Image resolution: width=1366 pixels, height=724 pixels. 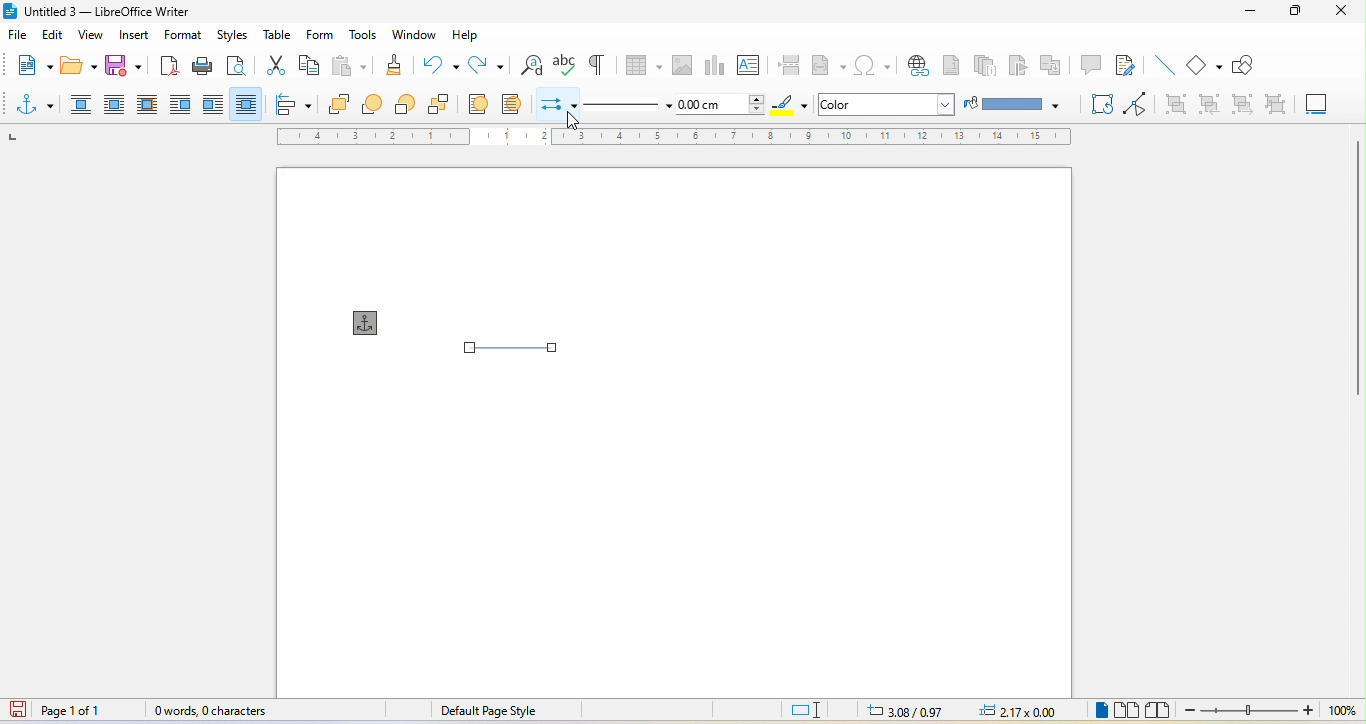 I want to click on zoom, so click(x=1274, y=711).